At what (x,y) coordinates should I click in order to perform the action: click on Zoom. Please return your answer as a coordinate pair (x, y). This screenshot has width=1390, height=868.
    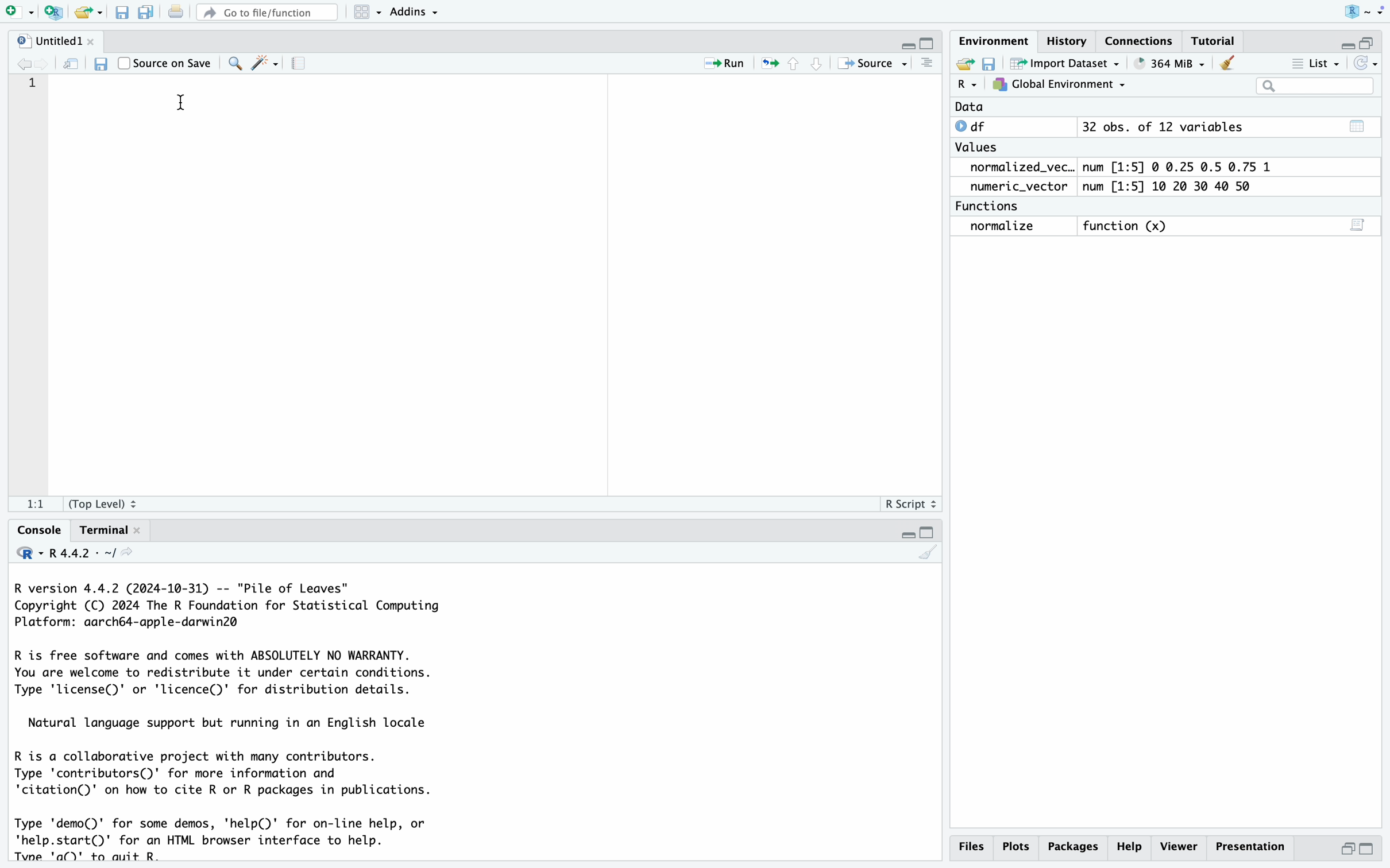
    Looking at the image, I should click on (233, 62).